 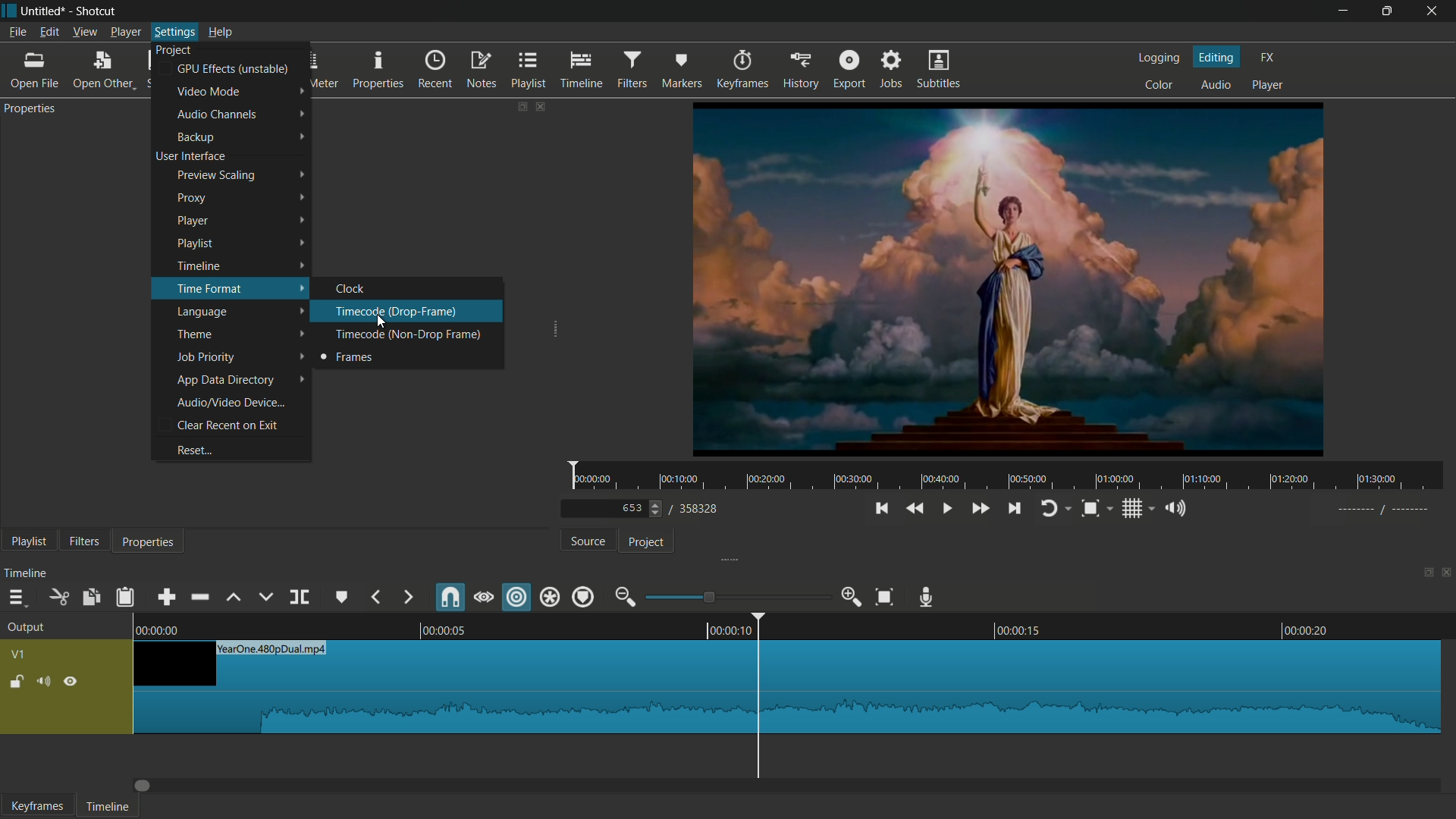 I want to click on app icon, so click(x=9, y=11).